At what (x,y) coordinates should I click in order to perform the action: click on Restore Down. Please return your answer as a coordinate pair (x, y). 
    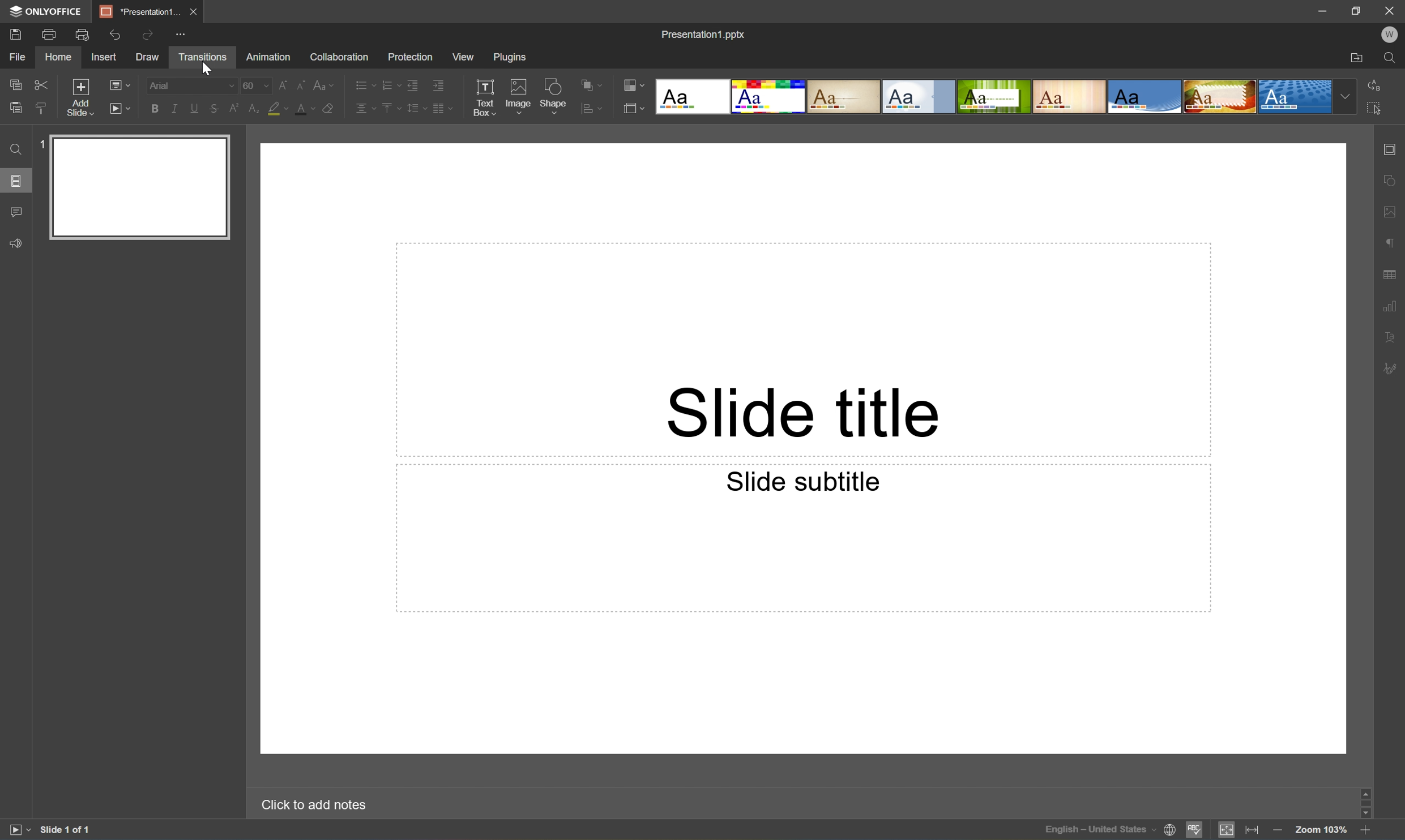
    Looking at the image, I should click on (1357, 9).